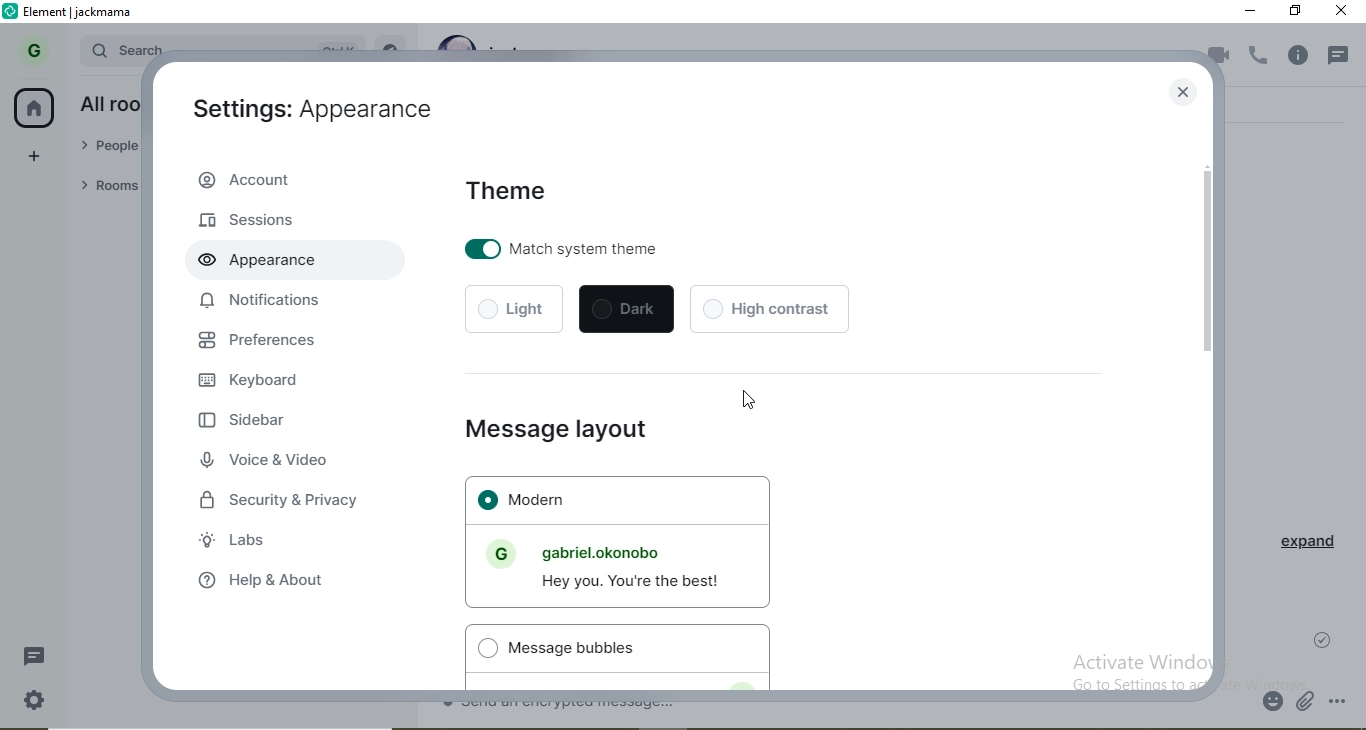 Image resolution: width=1366 pixels, height=730 pixels. Describe the element at coordinates (1301, 547) in the screenshot. I see `expand` at that location.